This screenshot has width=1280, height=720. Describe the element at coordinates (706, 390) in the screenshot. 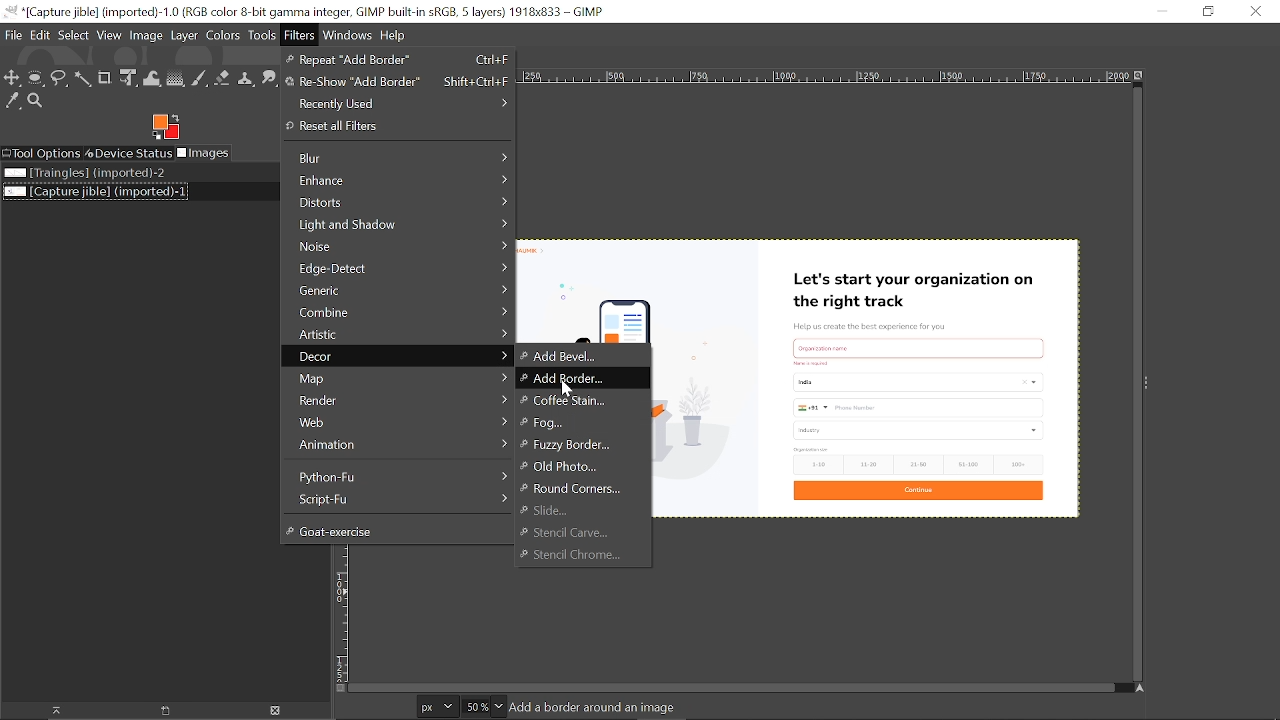

I see `Current image` at that location.